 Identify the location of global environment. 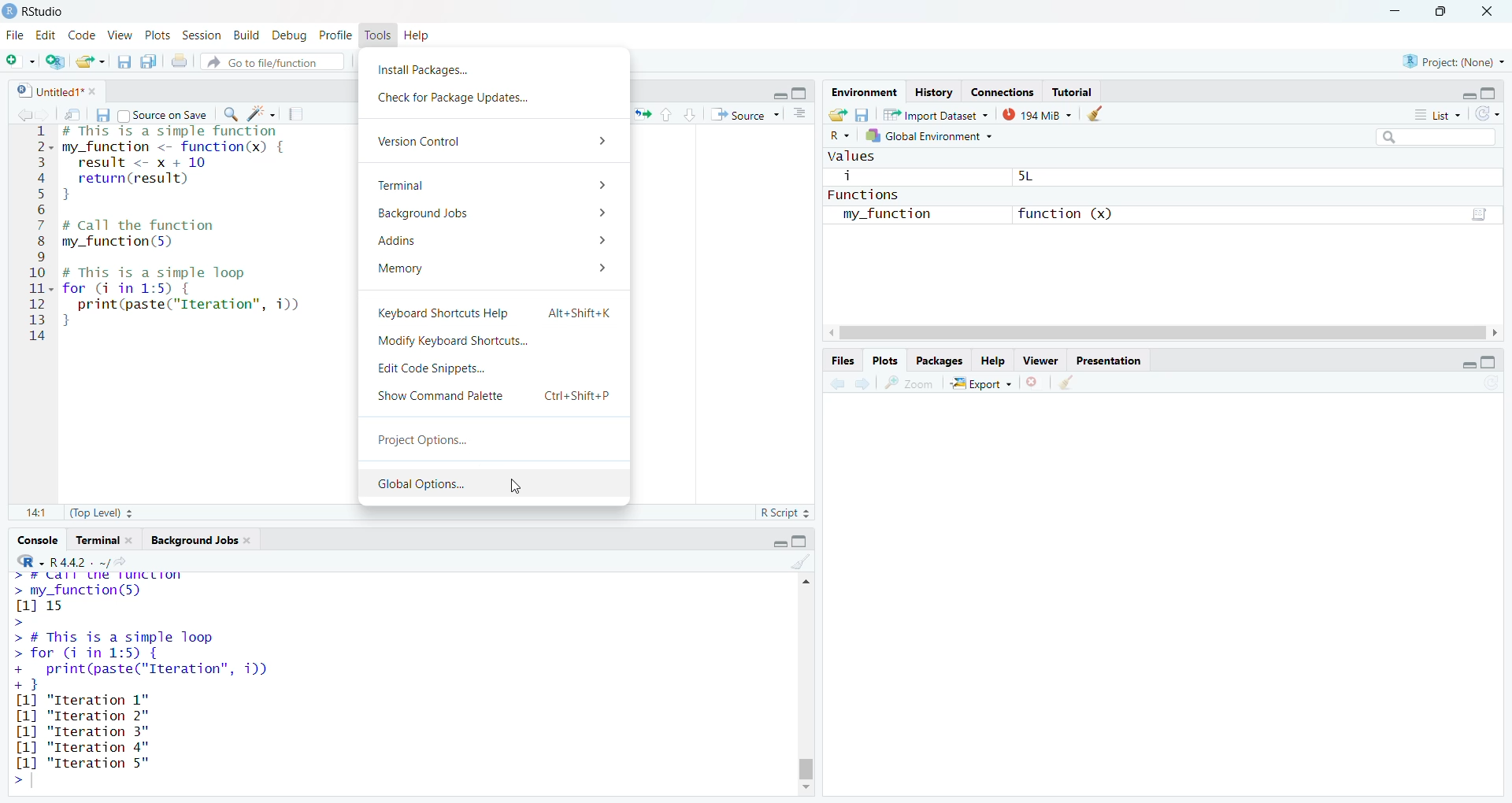
(937, 139).